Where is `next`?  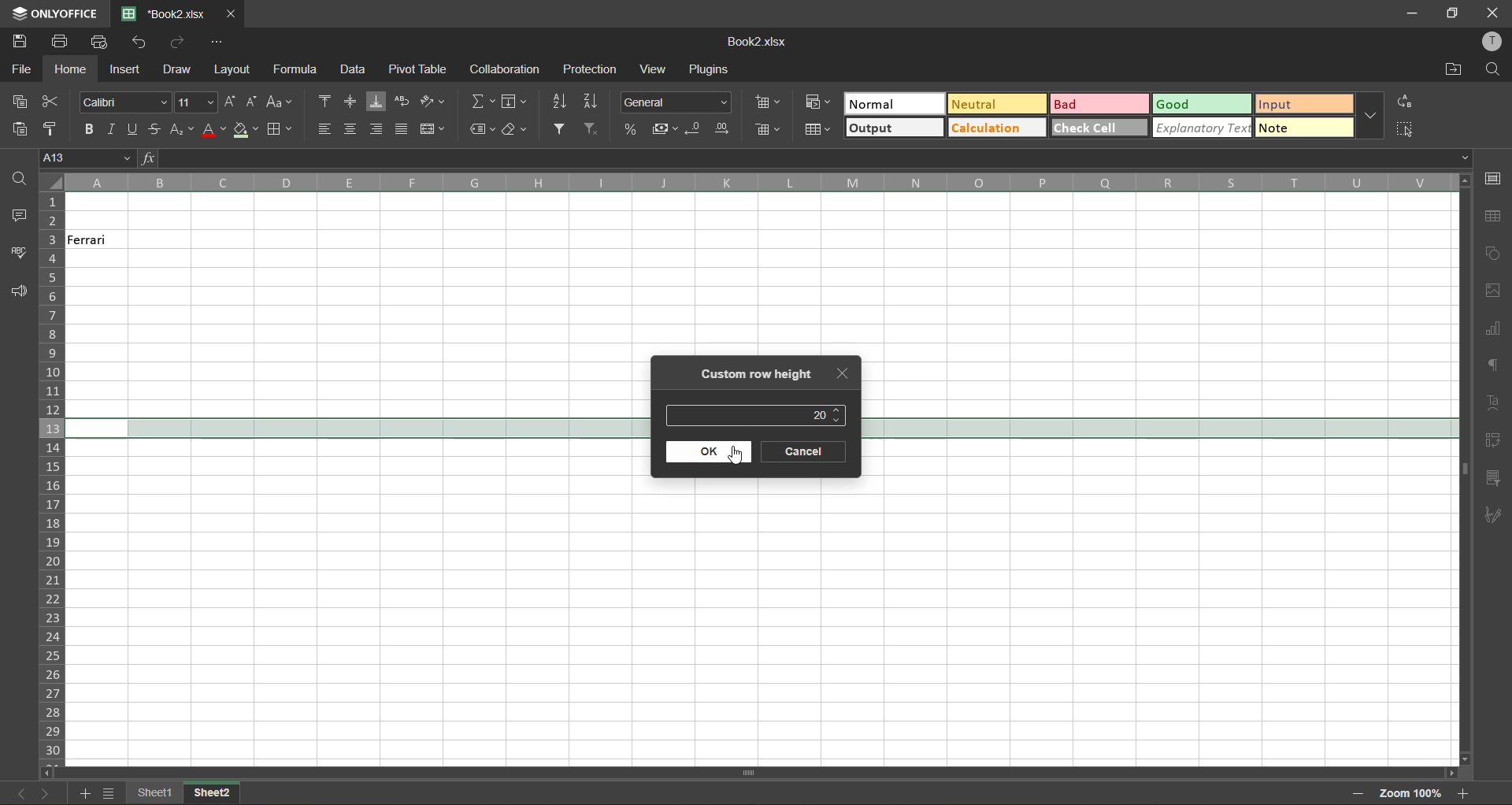
next is located at coordinates (45, 793).